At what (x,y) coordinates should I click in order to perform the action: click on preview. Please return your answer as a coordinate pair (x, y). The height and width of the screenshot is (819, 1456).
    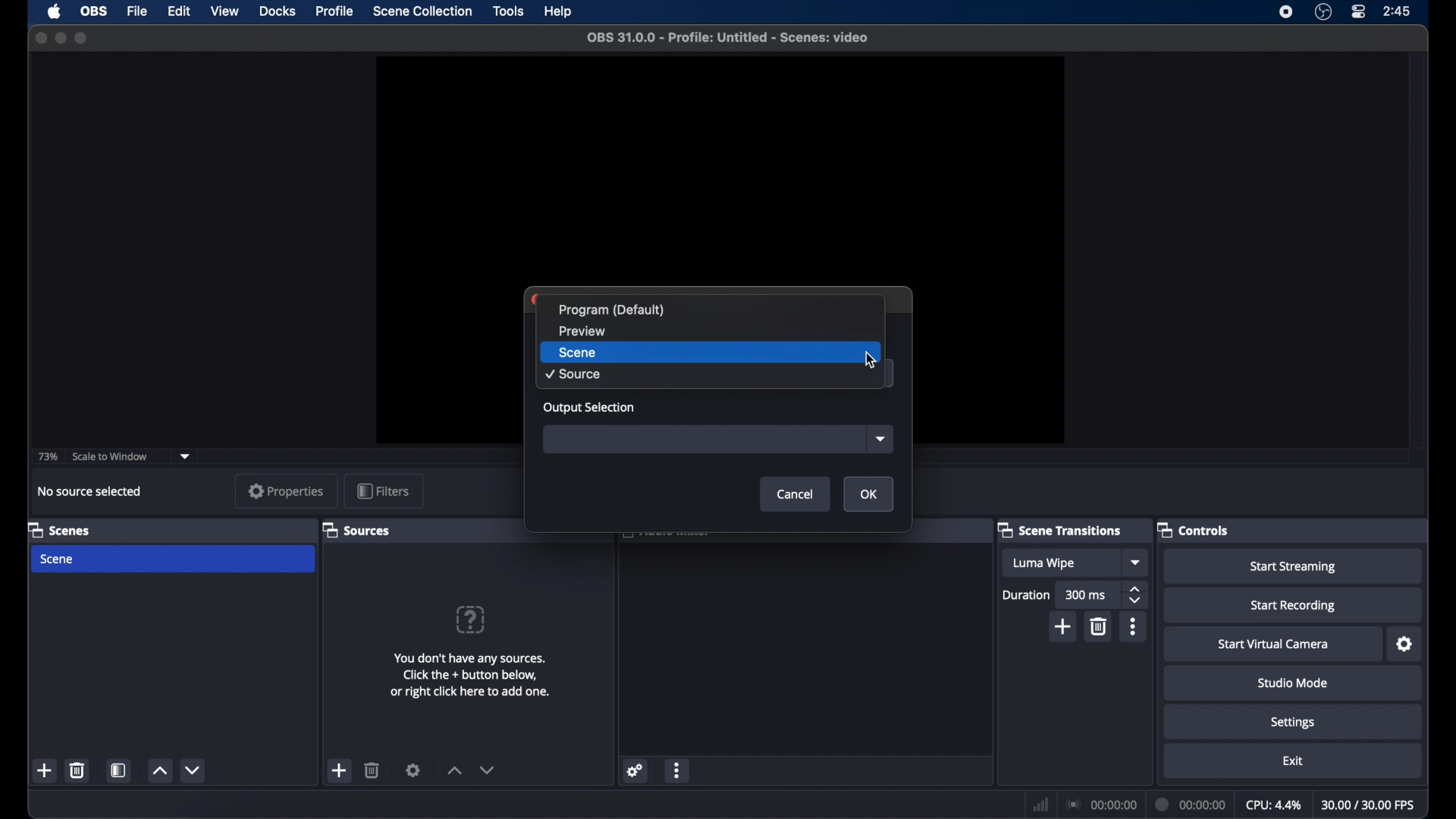
    Looking at the image, I should click on (711, 331).